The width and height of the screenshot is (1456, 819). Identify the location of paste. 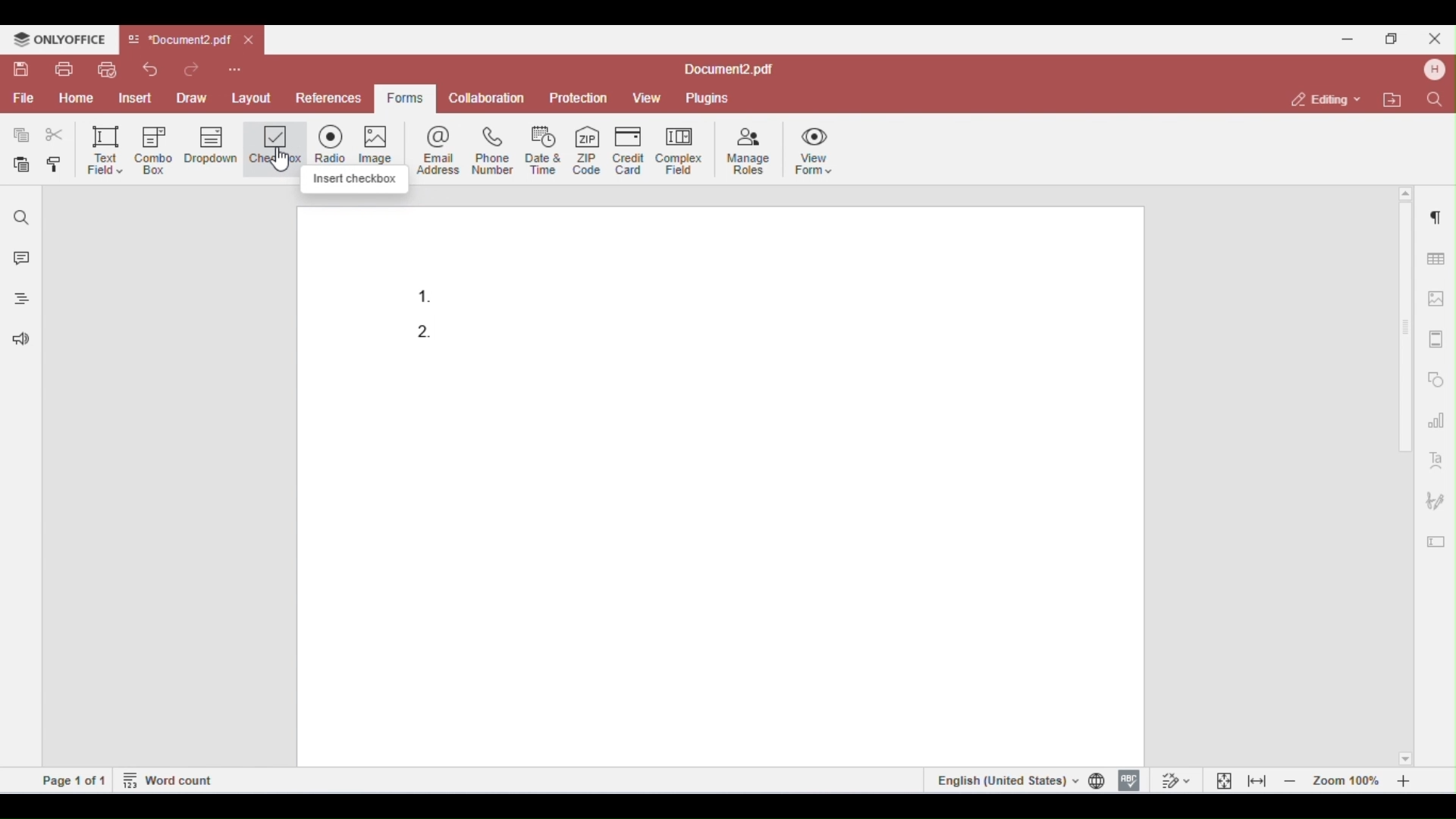
(23, 165).